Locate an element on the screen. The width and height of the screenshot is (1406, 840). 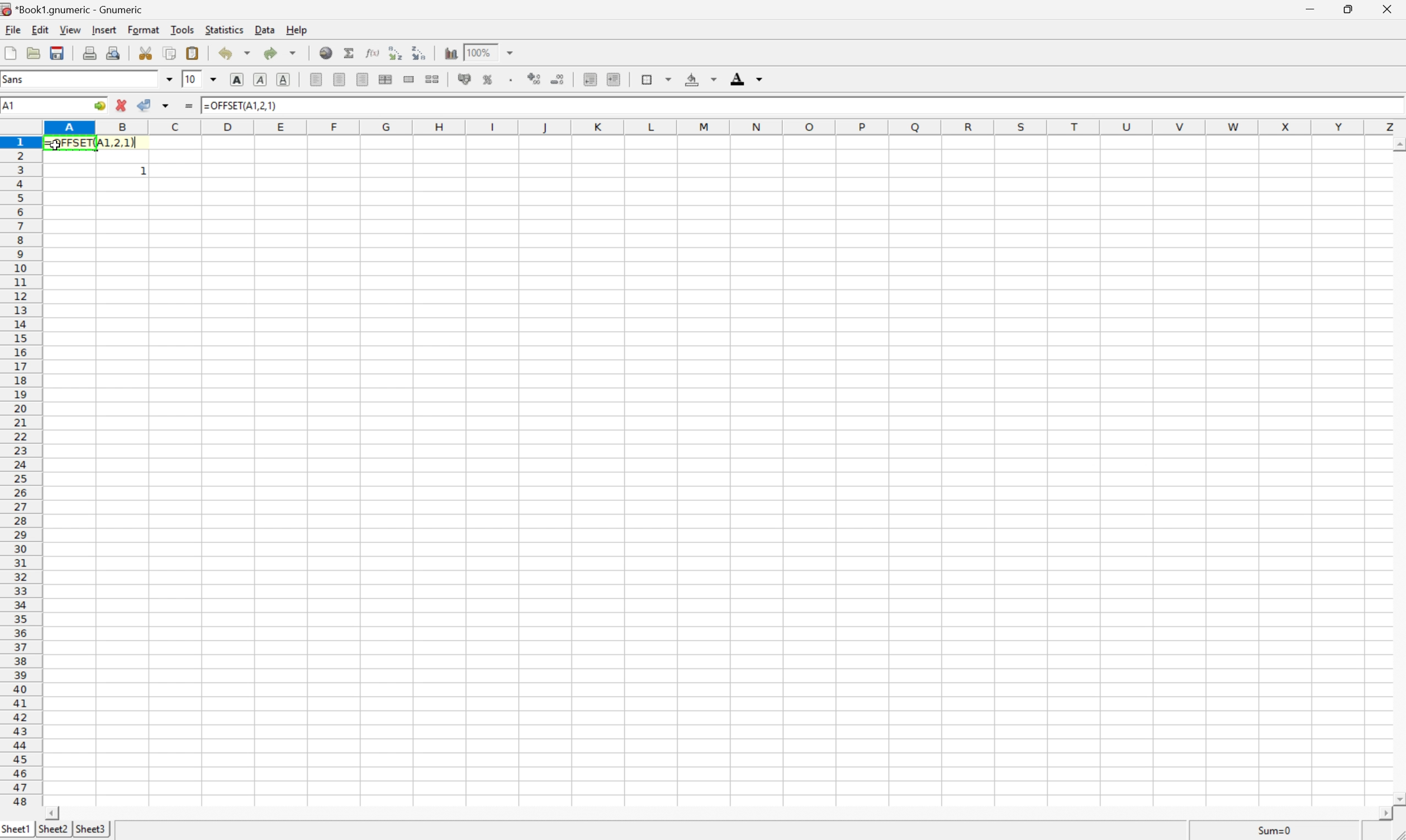
paste is located at coordinates (194, 53).